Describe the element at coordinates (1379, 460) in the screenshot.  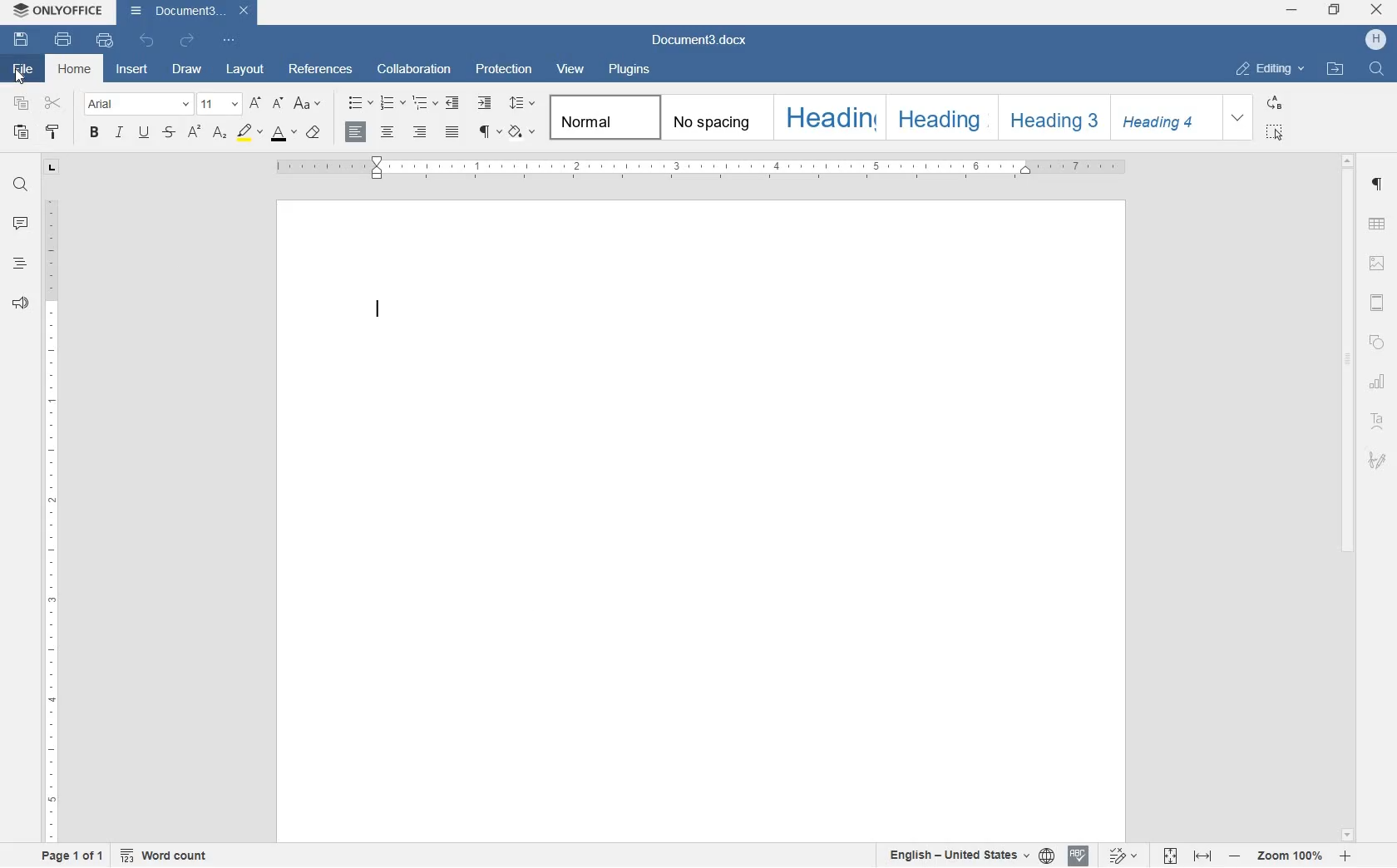
I see `signature` at that location.